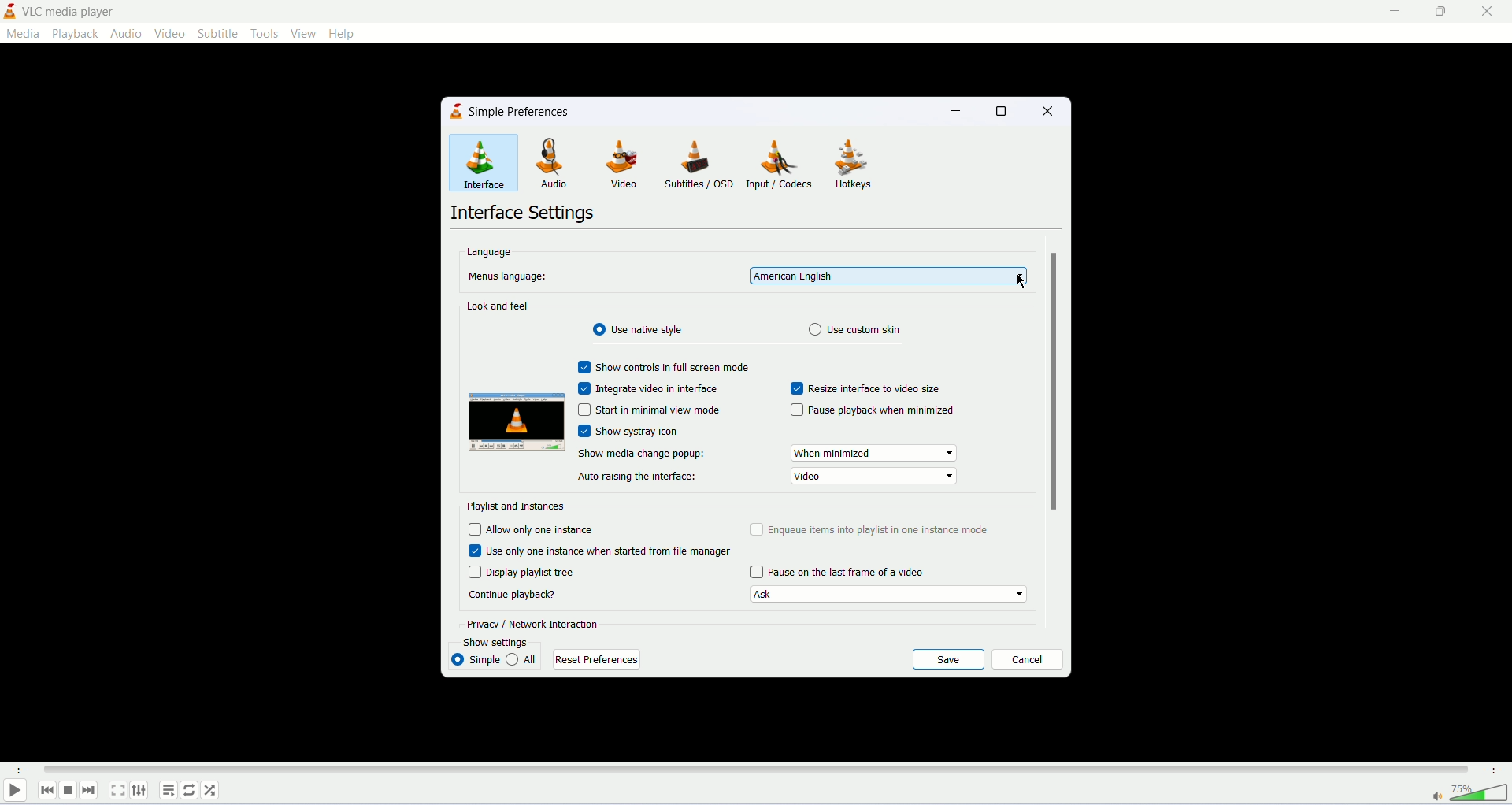 Image resolution: width=1512 pixels, height=805 pixels. What do you see at coordinates (1439, 797) in the screenshot?
I see `mute` at bounding box center [1439, 797].